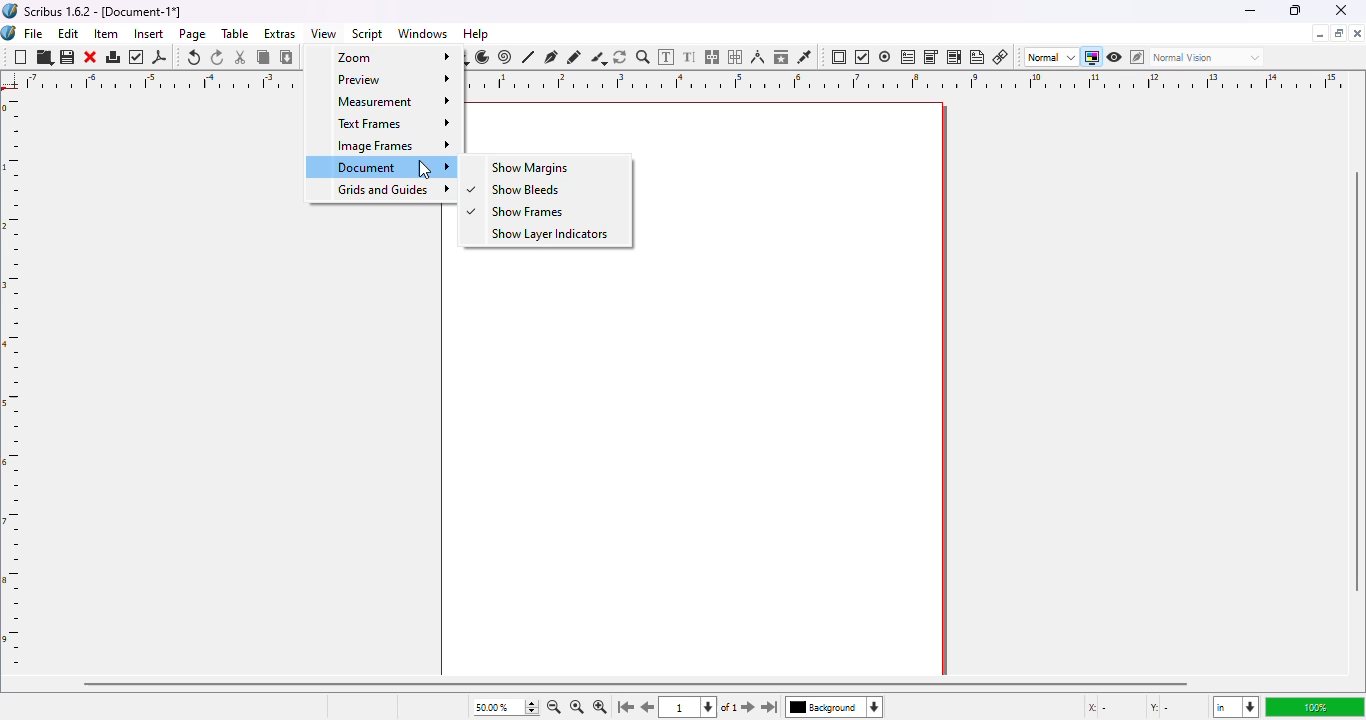 Image resolution: width=1366 pixels, height=720 pixels. I want to click on print, so click(114, 57).